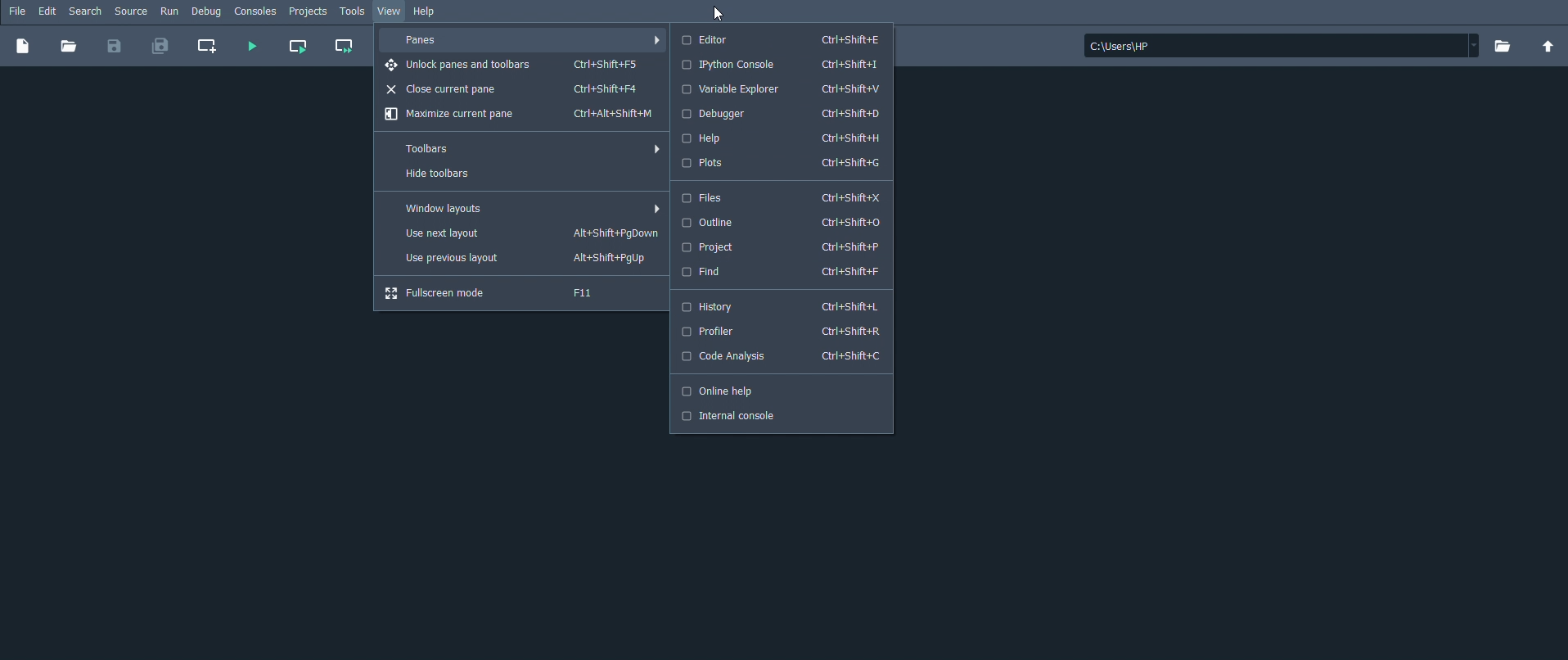 Image resolution: width=1568 pixels, height=660 pixels. What do you see at coordinates (251, 47) in the screenshot?
I see `Run file` at bounding box center [251, 47].